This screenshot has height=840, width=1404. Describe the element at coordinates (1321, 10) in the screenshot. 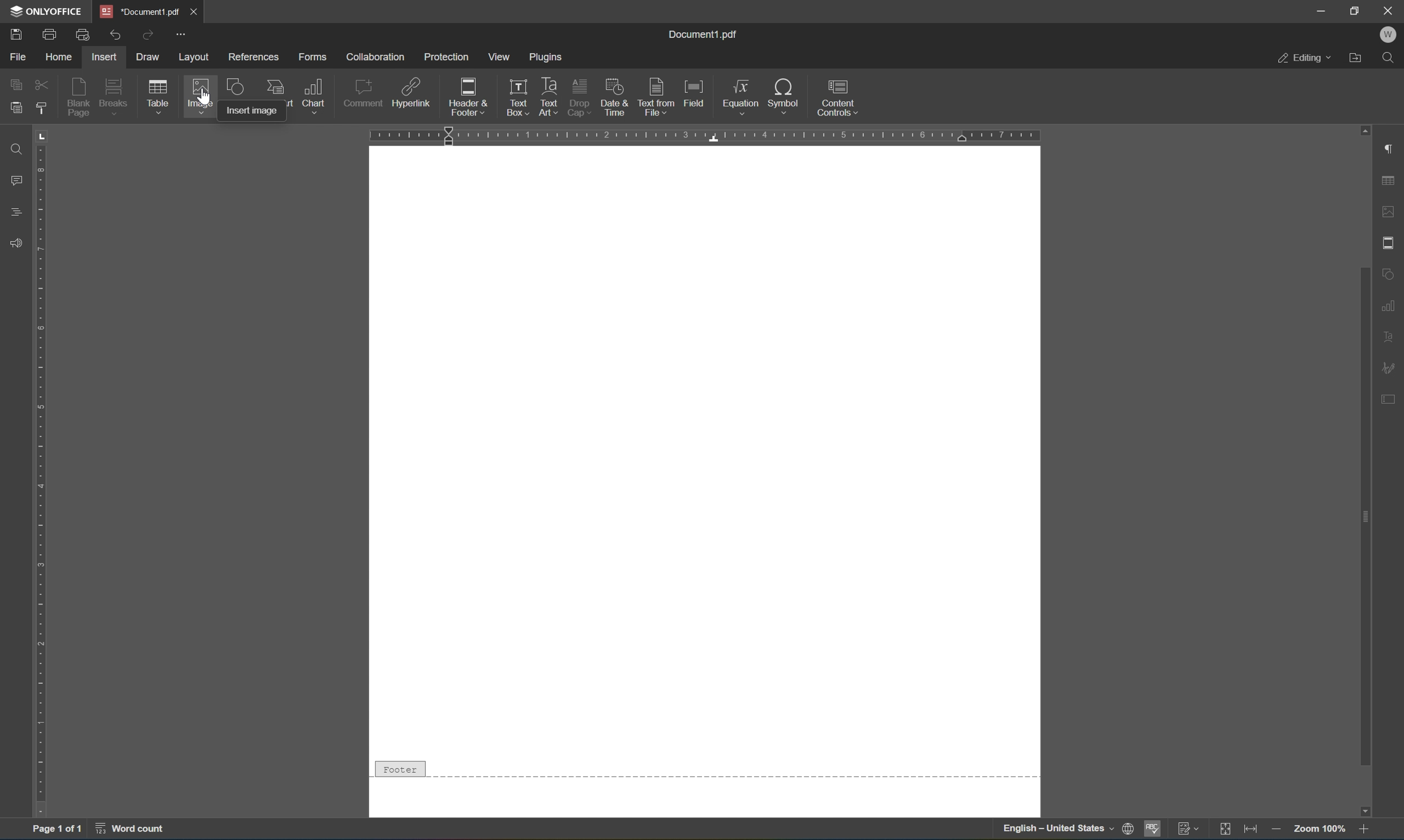

I see `minimize` at that location.